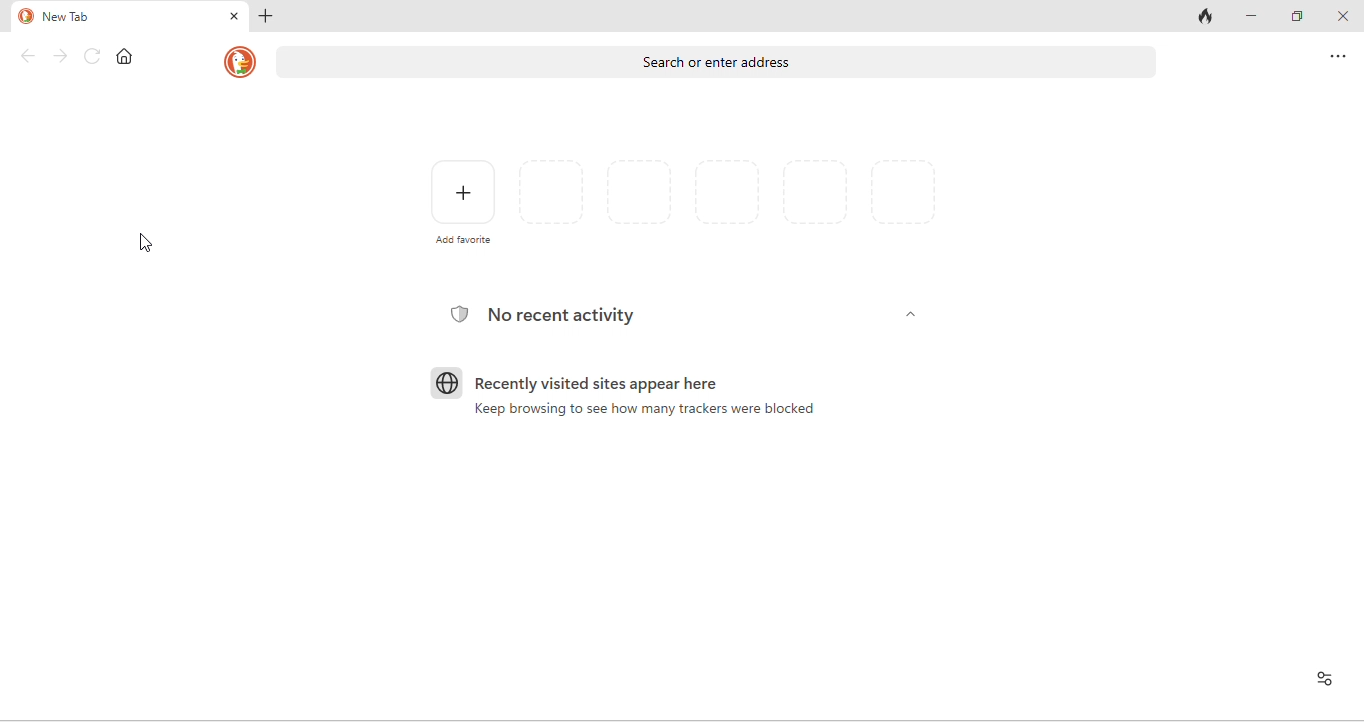 This screenshot has height=722, width=1364. What do you see at coordinates (1250, 15) in the screenshot?
I see `minimize` at bounding box center [1250, 15].